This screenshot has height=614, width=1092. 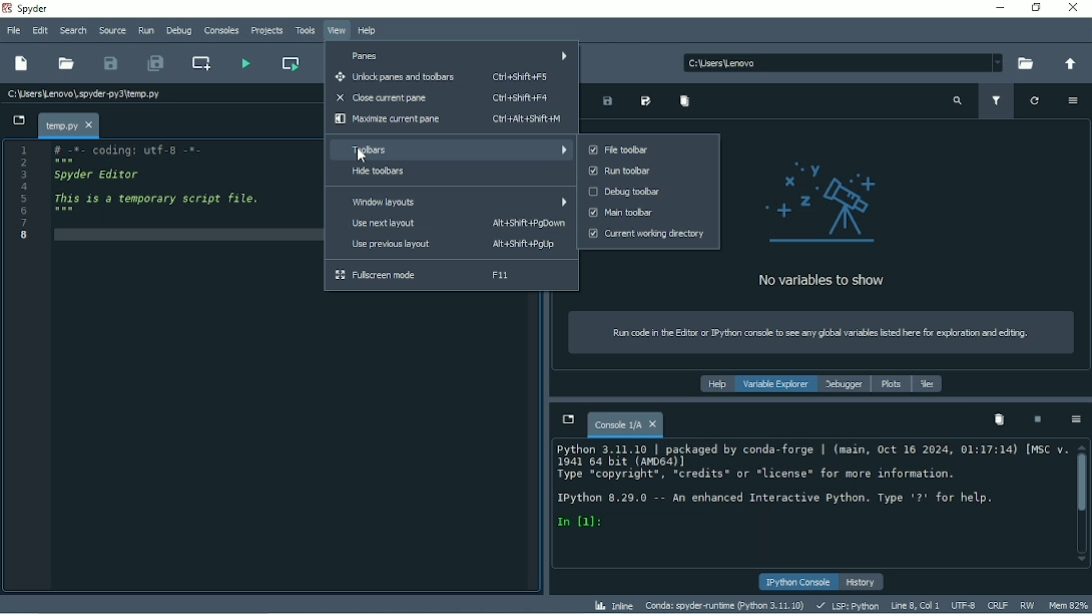 What do you see at coordinates (820, 223) in the screenshot?
I see `No variables to show` at bounding box center [820, 223].